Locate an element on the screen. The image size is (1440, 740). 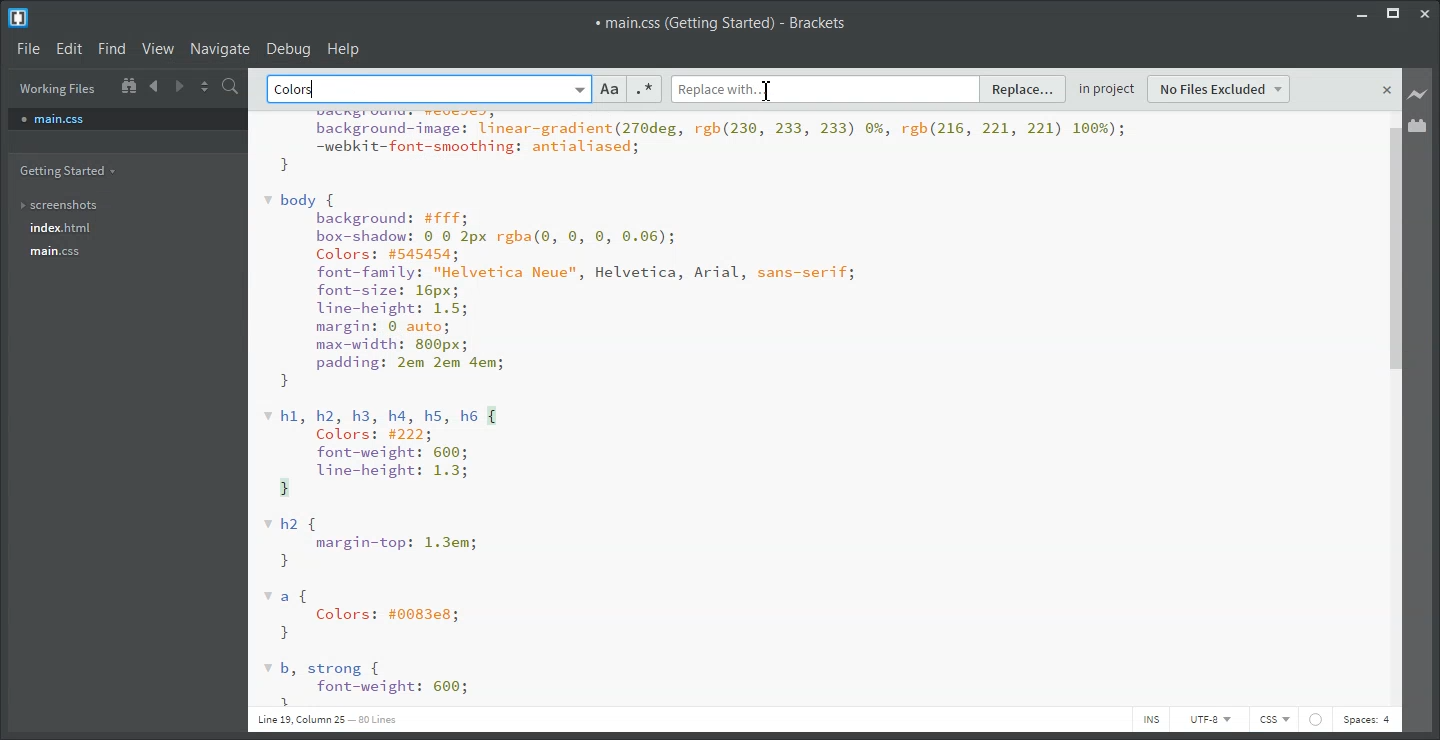
Colors is located at coordinates (298, 90).